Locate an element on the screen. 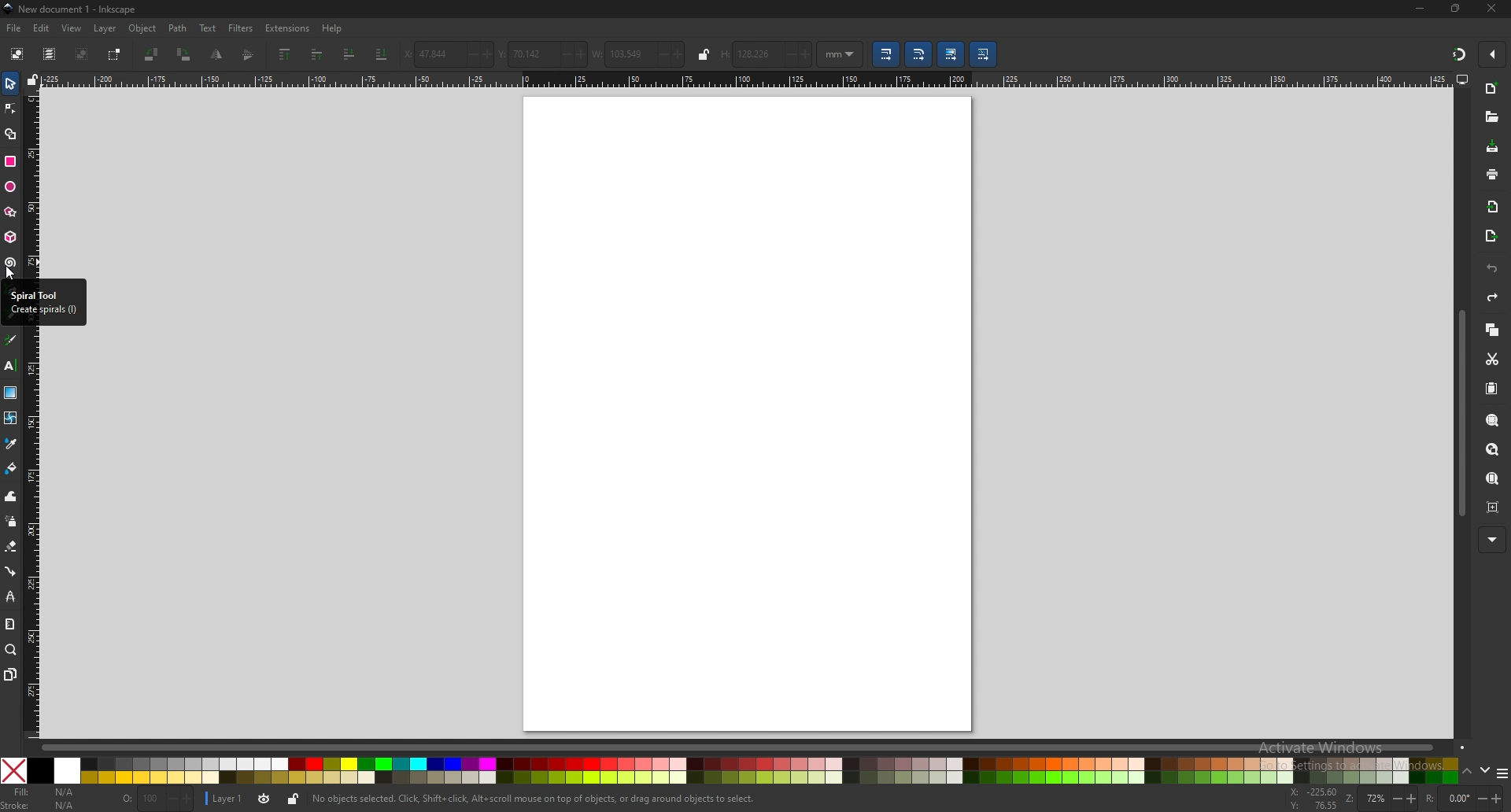 Image resolution: width=1511 pixels, height=812 pixels. lock is located at coordinates (703, 55).